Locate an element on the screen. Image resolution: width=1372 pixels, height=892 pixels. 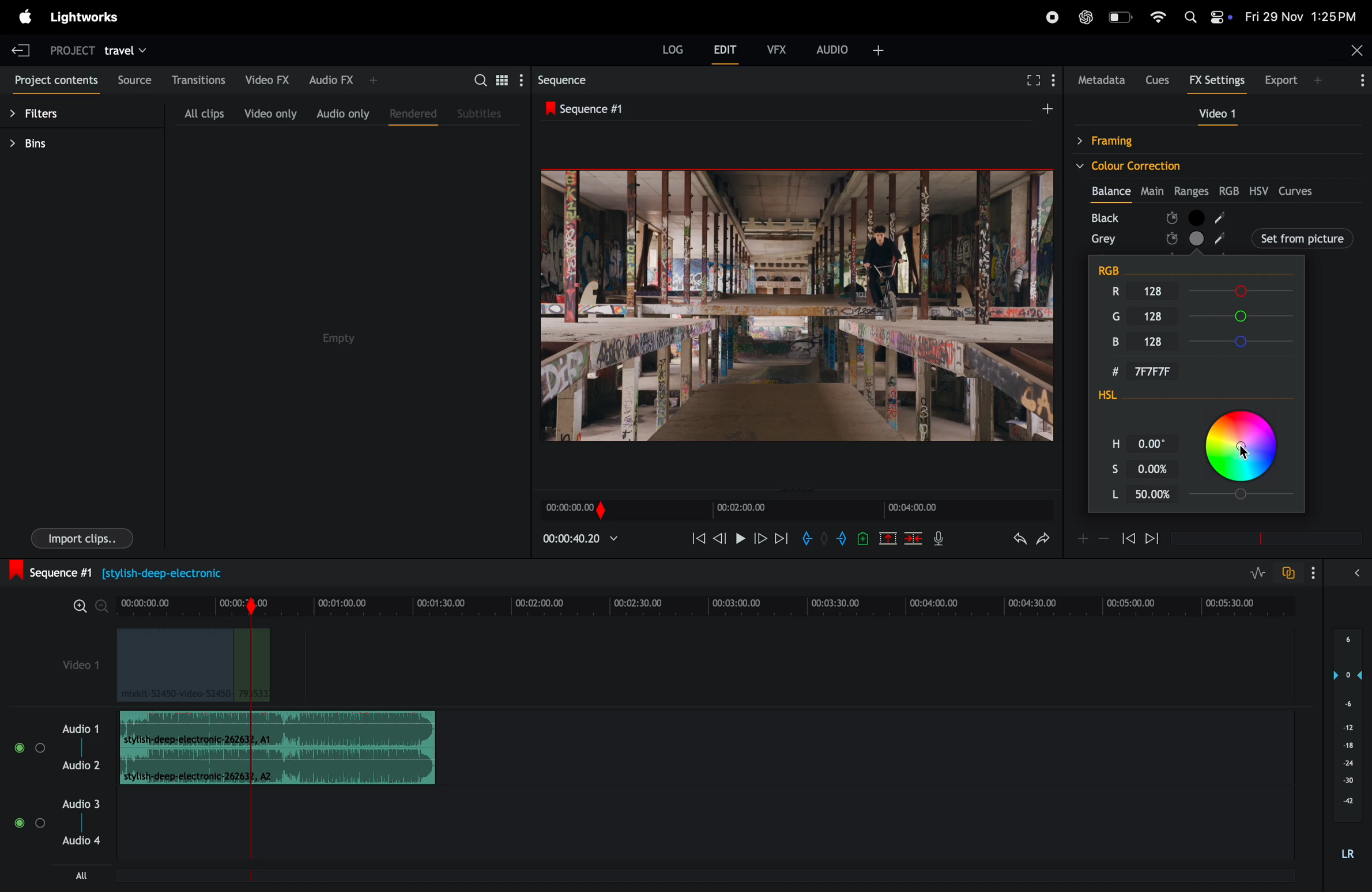
tofggle audio track is located at coordinates (1287, 573).